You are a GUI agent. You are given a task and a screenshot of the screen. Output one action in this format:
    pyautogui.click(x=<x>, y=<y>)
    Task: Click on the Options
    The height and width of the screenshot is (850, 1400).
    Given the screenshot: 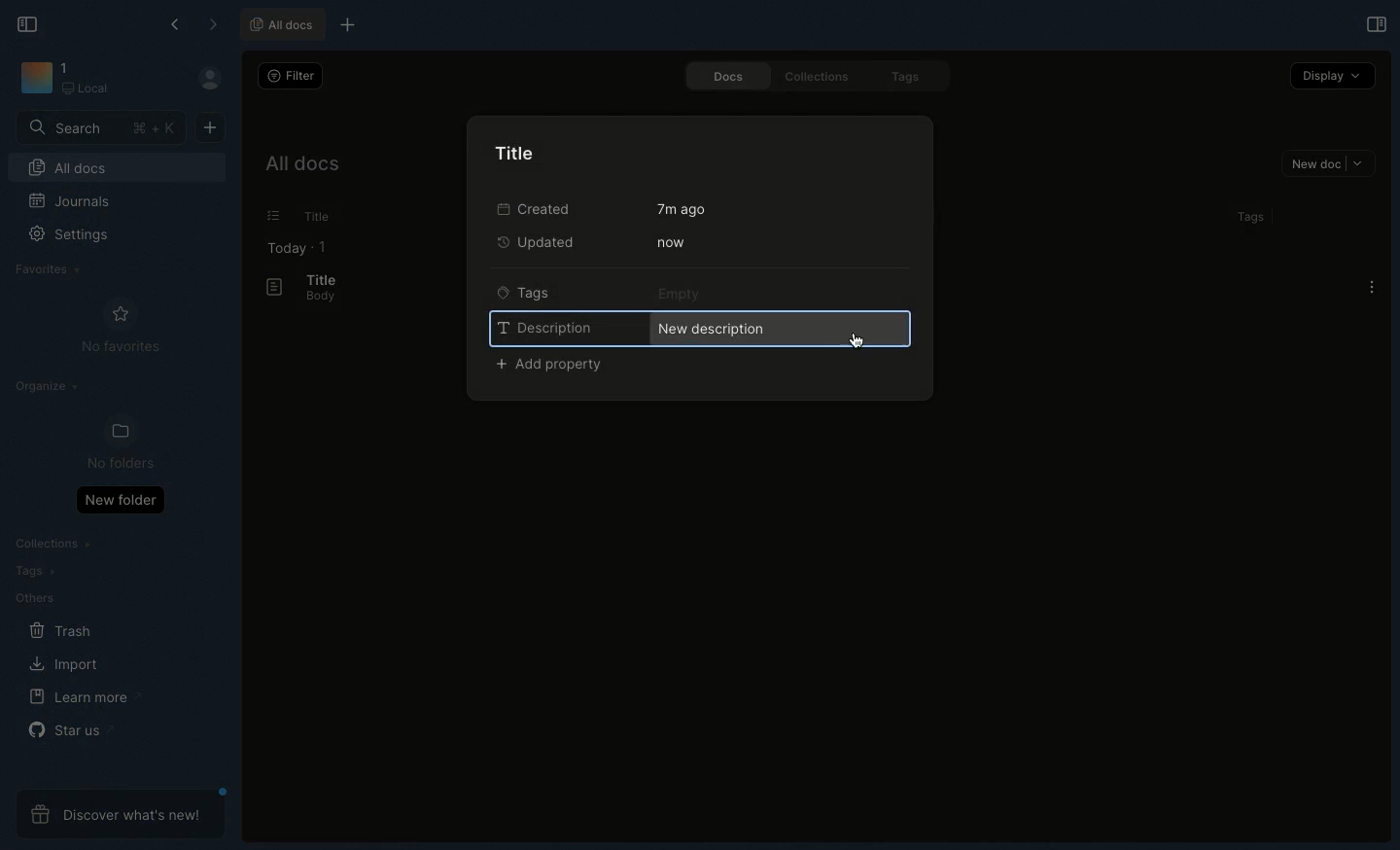 What is the action you would take?
    pyautogui.click(x=1372, y=287)
    